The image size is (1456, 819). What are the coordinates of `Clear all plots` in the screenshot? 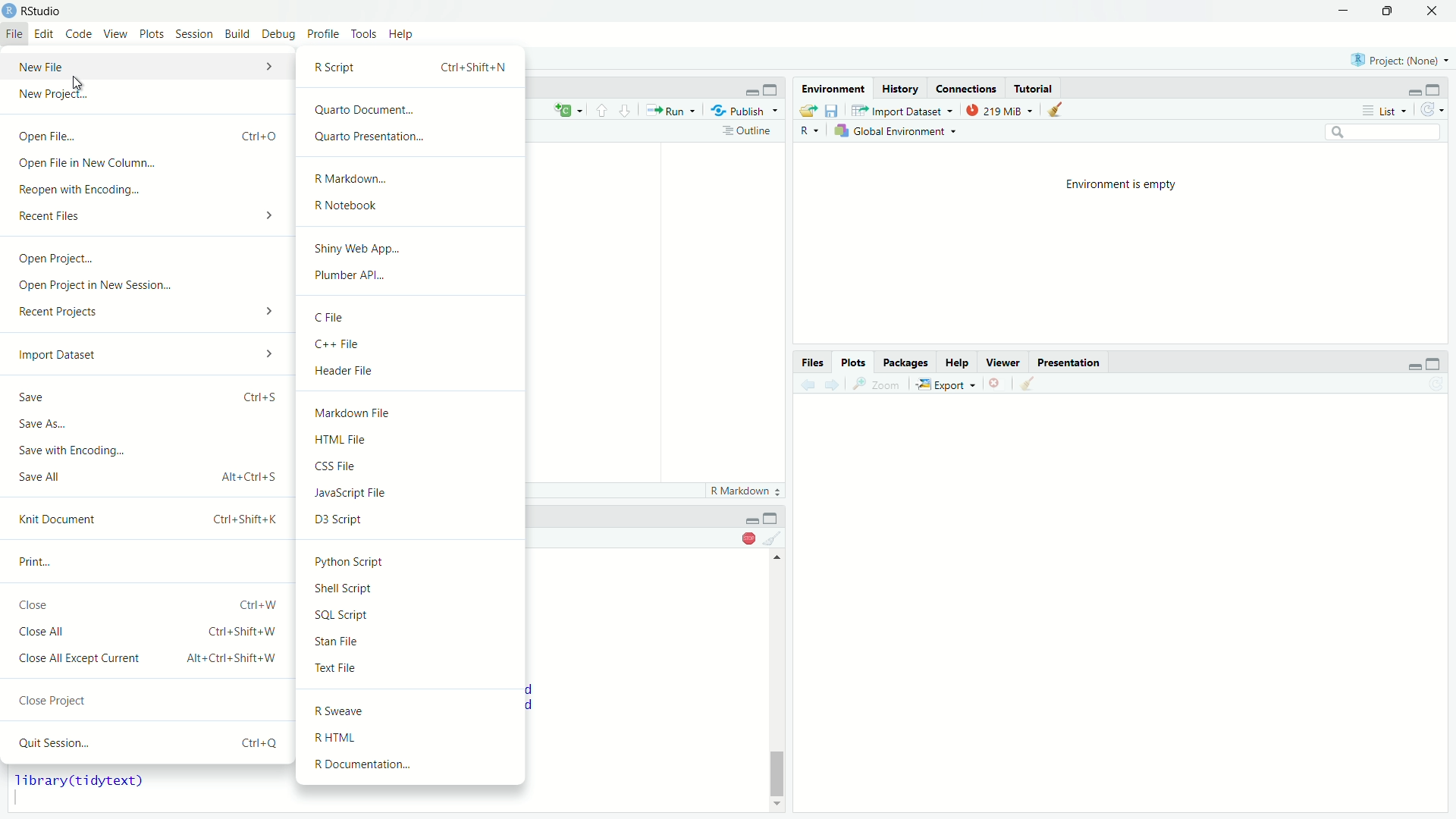 It's located at (1034, 384).